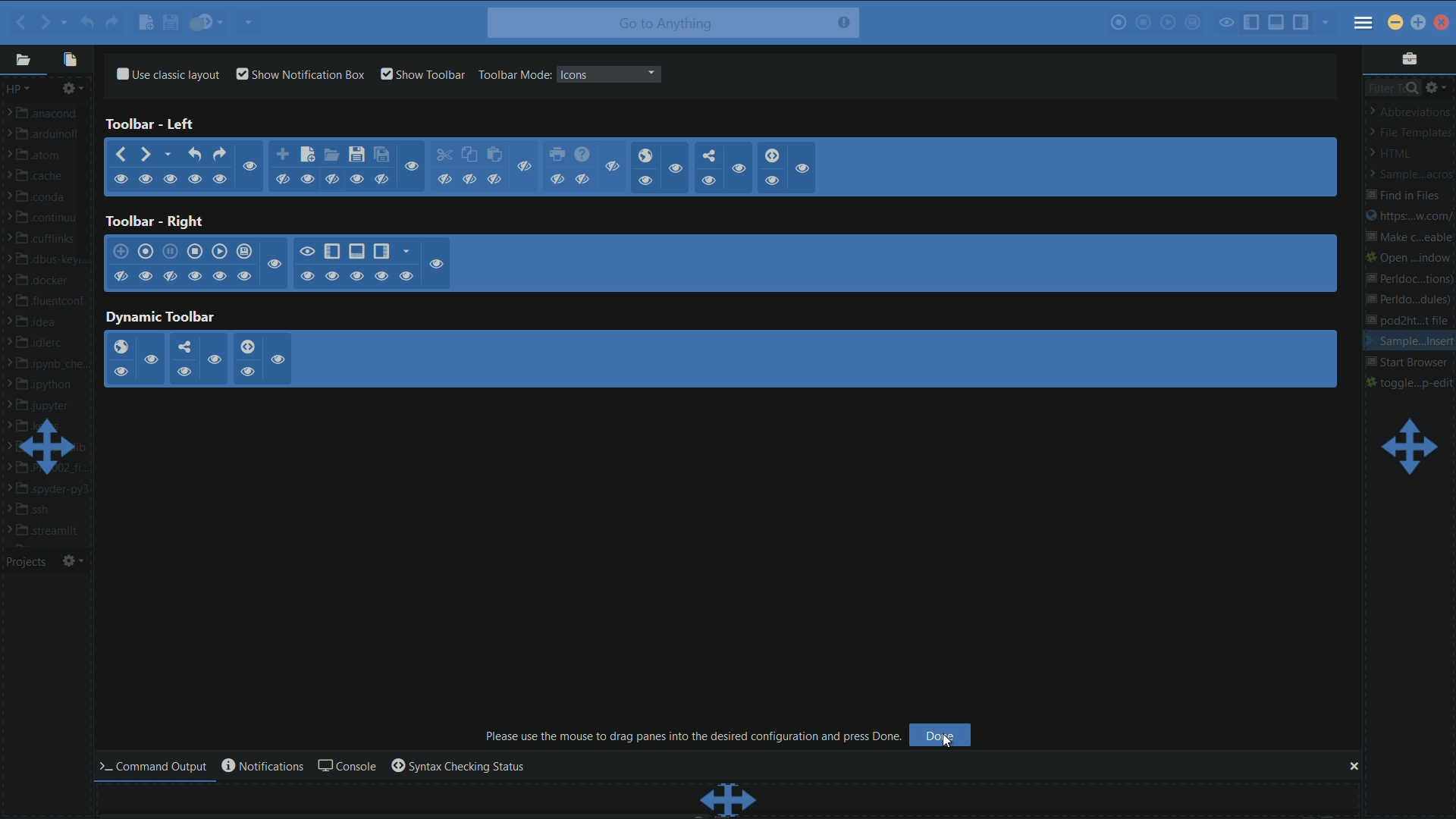  What do you see at coordinates (53, 366) in the screenshot?
I see `.ipynb_che...` at bounding box center [53, 366].